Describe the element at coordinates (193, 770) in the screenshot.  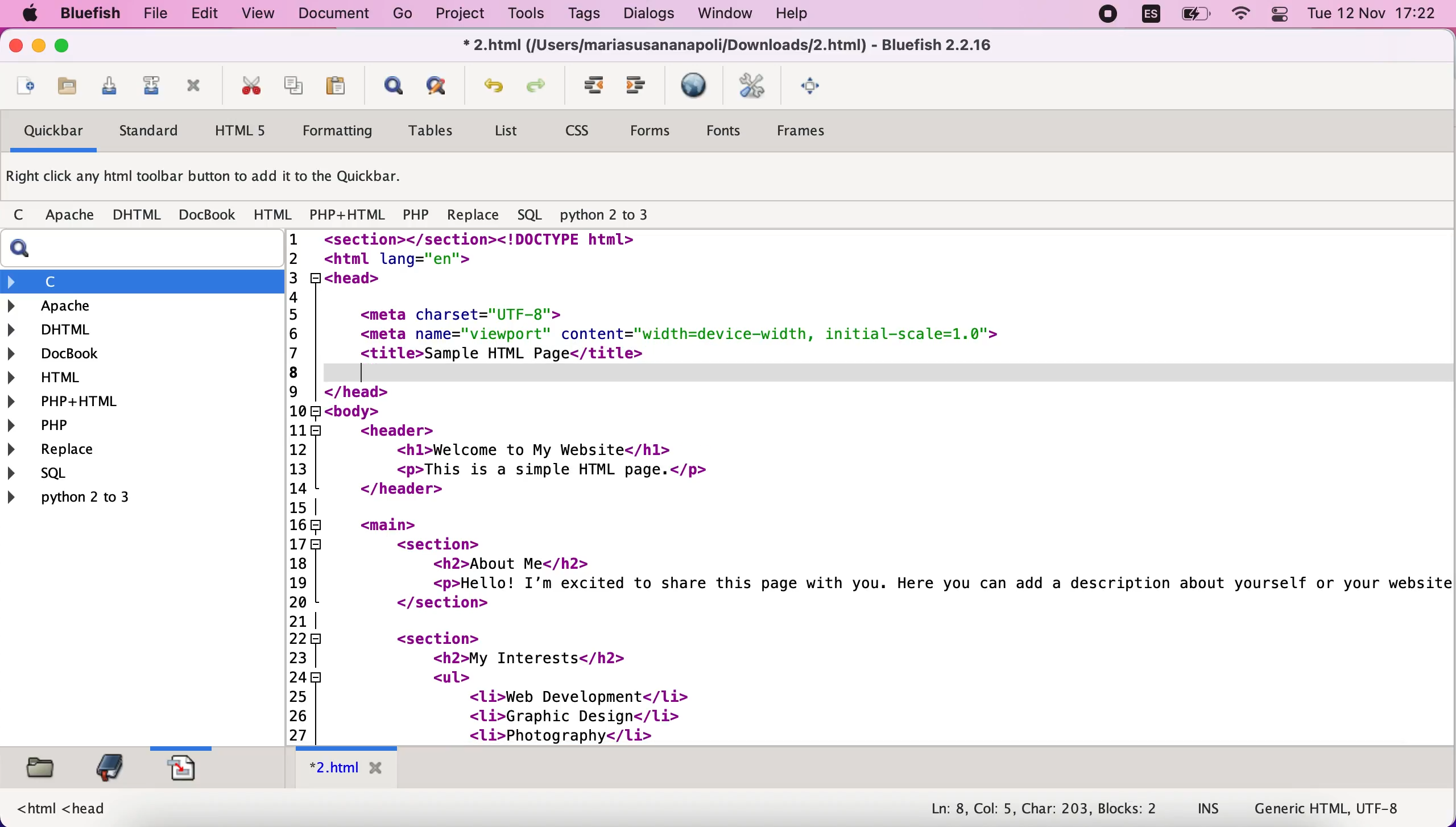
I see `snippets` at that location.